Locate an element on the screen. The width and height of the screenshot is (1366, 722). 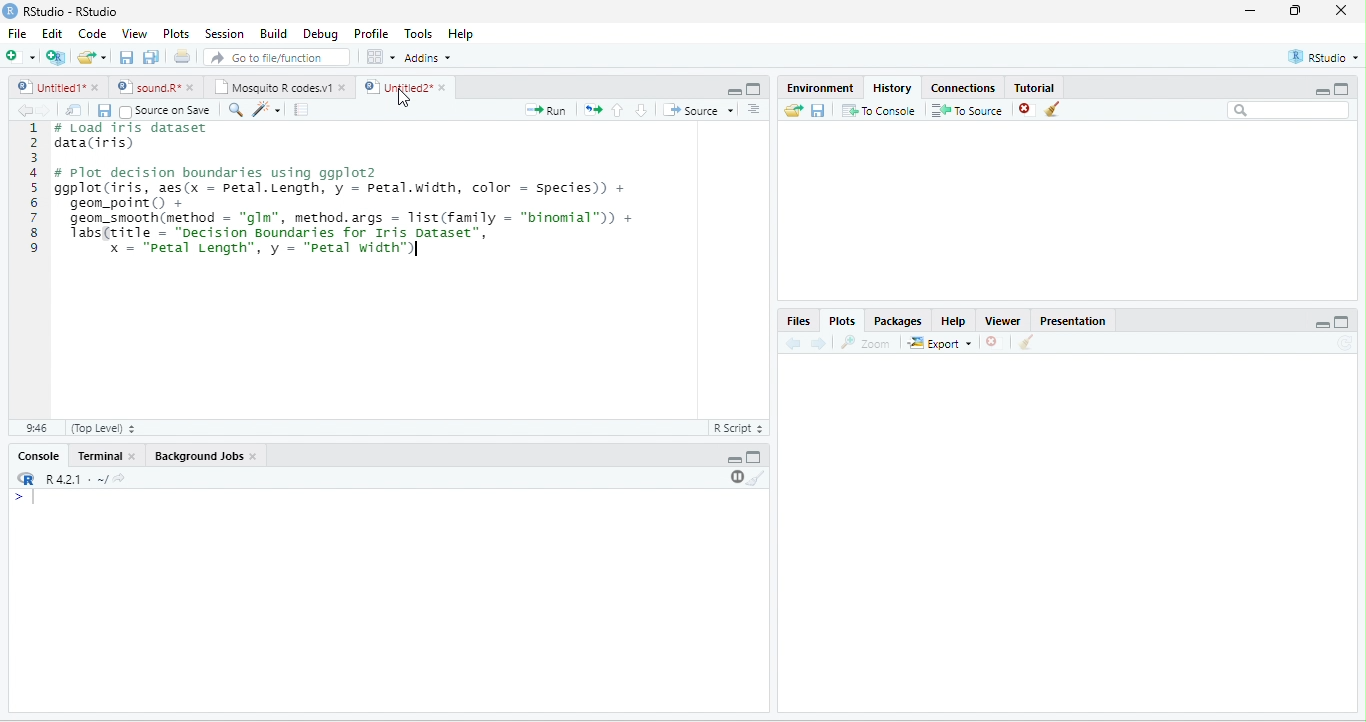
pause is located at coordinates (735, 477).